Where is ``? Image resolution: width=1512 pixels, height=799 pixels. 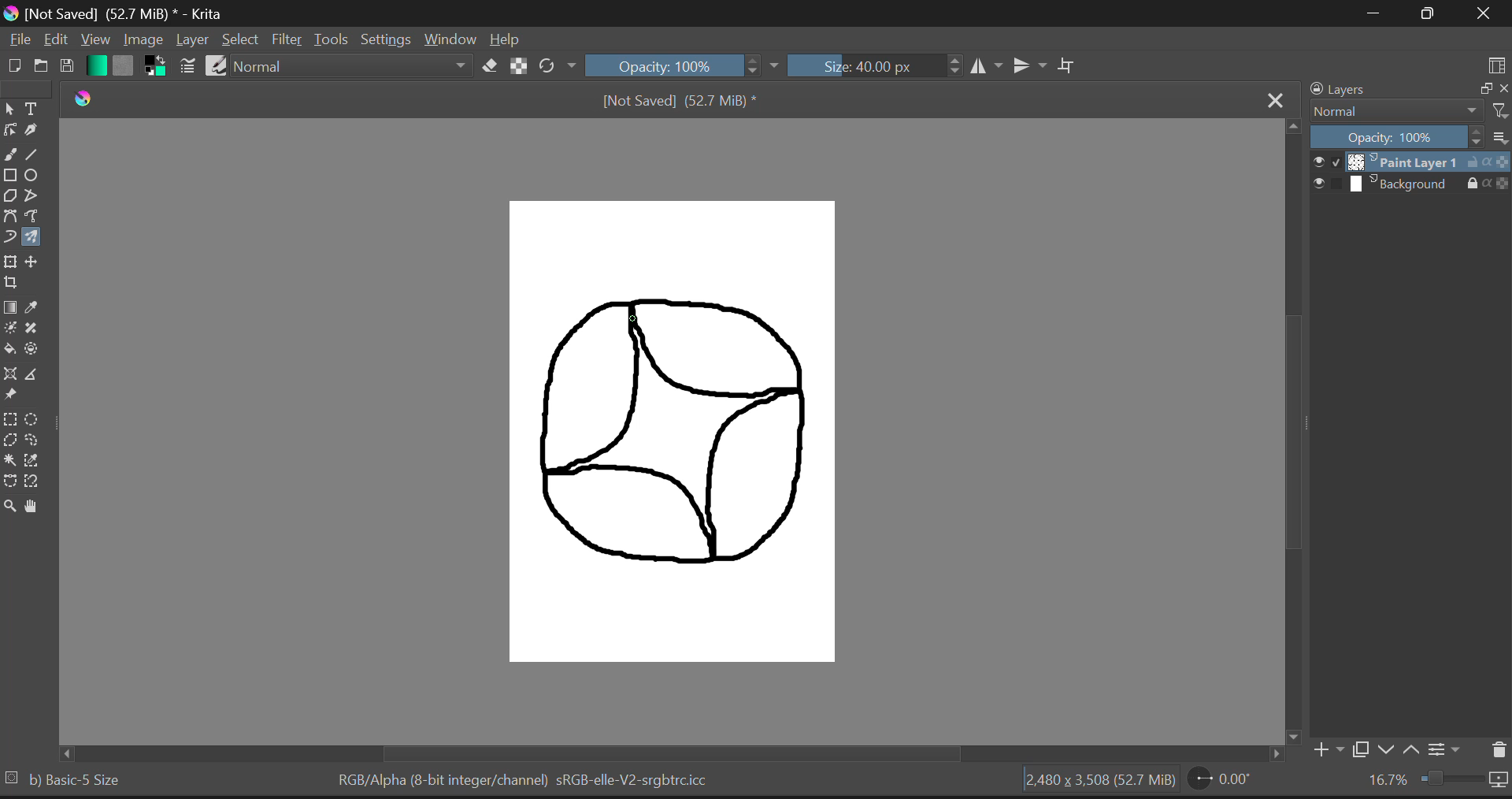  is located at coordinates (62, 752).